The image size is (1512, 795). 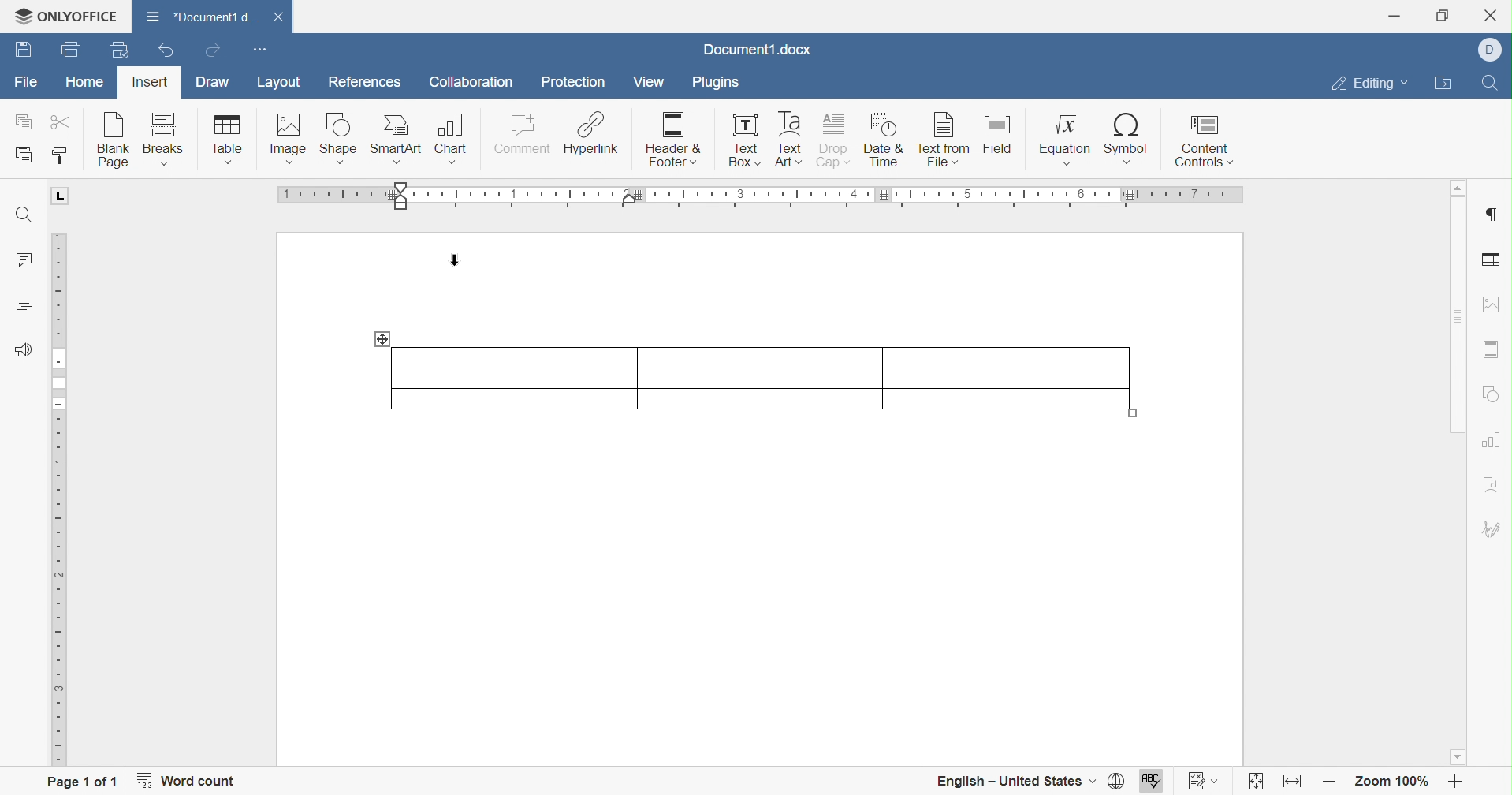 I want to click on Set document language, so click(x=1118, y=779).